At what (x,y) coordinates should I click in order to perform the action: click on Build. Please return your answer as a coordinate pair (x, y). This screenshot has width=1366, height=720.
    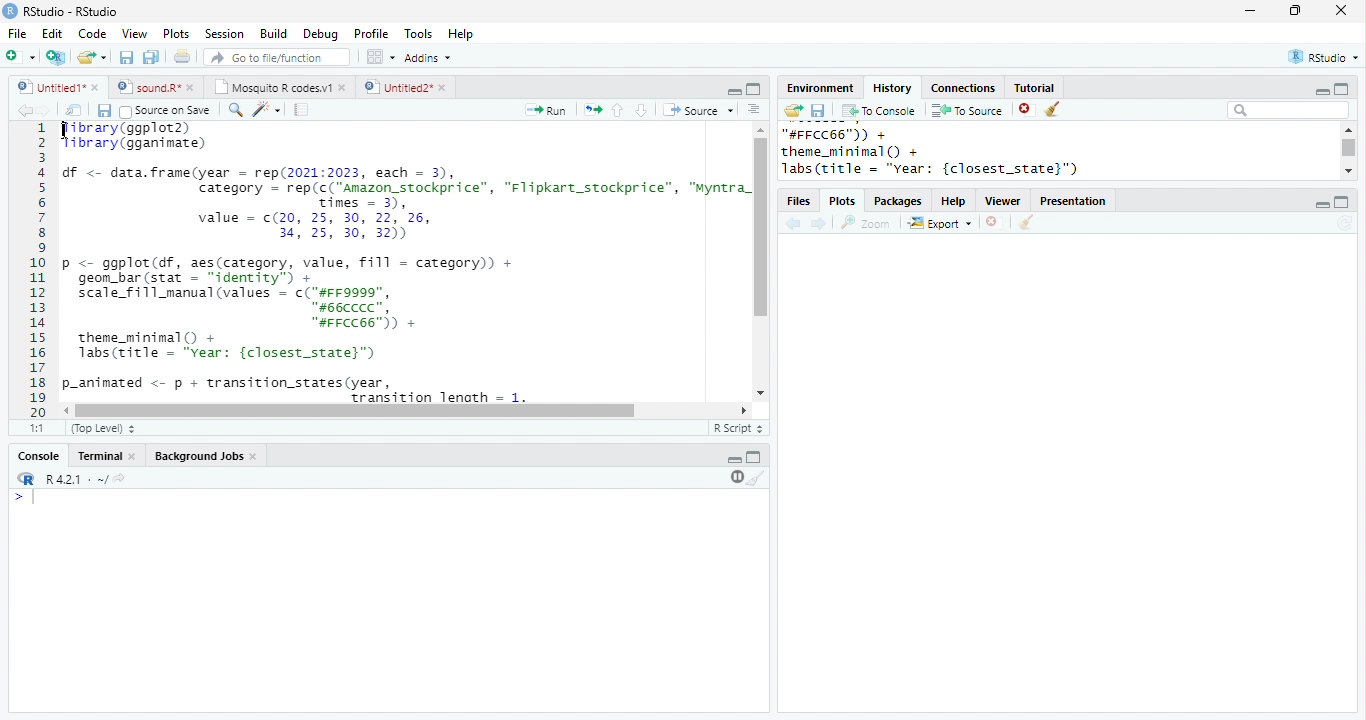
    Looking at the image, I should click on (273, 33).